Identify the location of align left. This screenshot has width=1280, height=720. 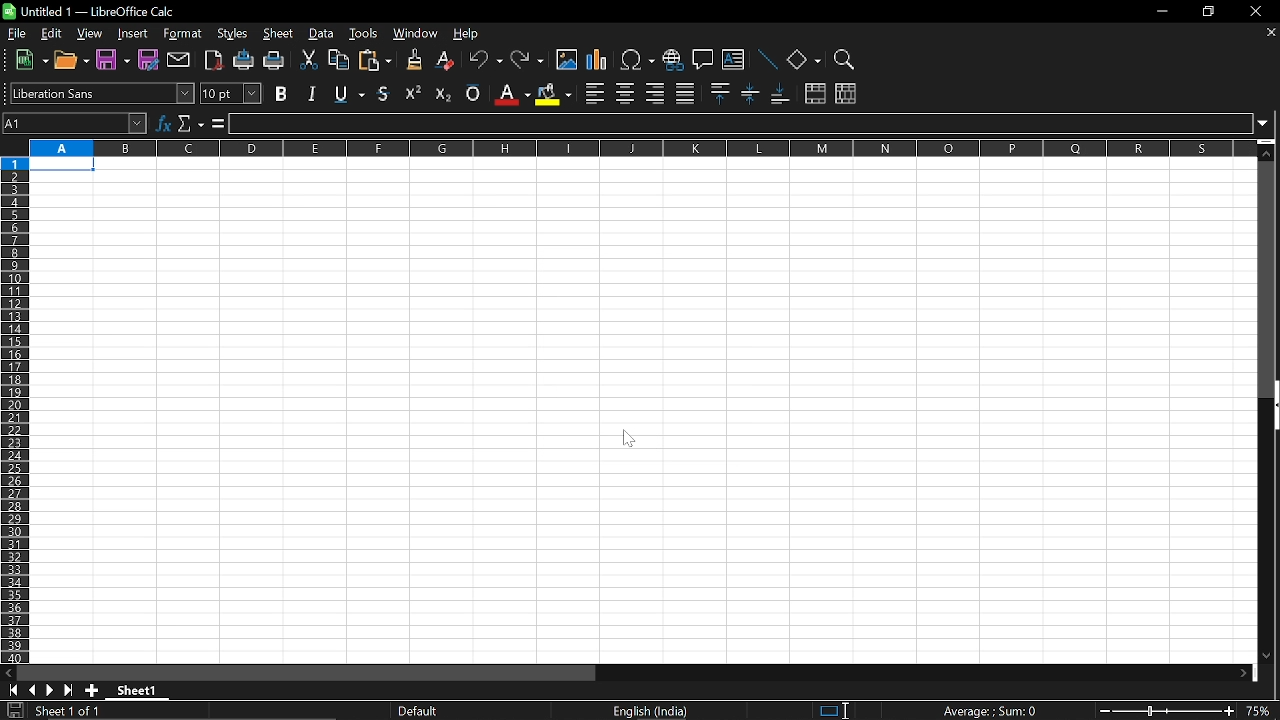
(595, 94).